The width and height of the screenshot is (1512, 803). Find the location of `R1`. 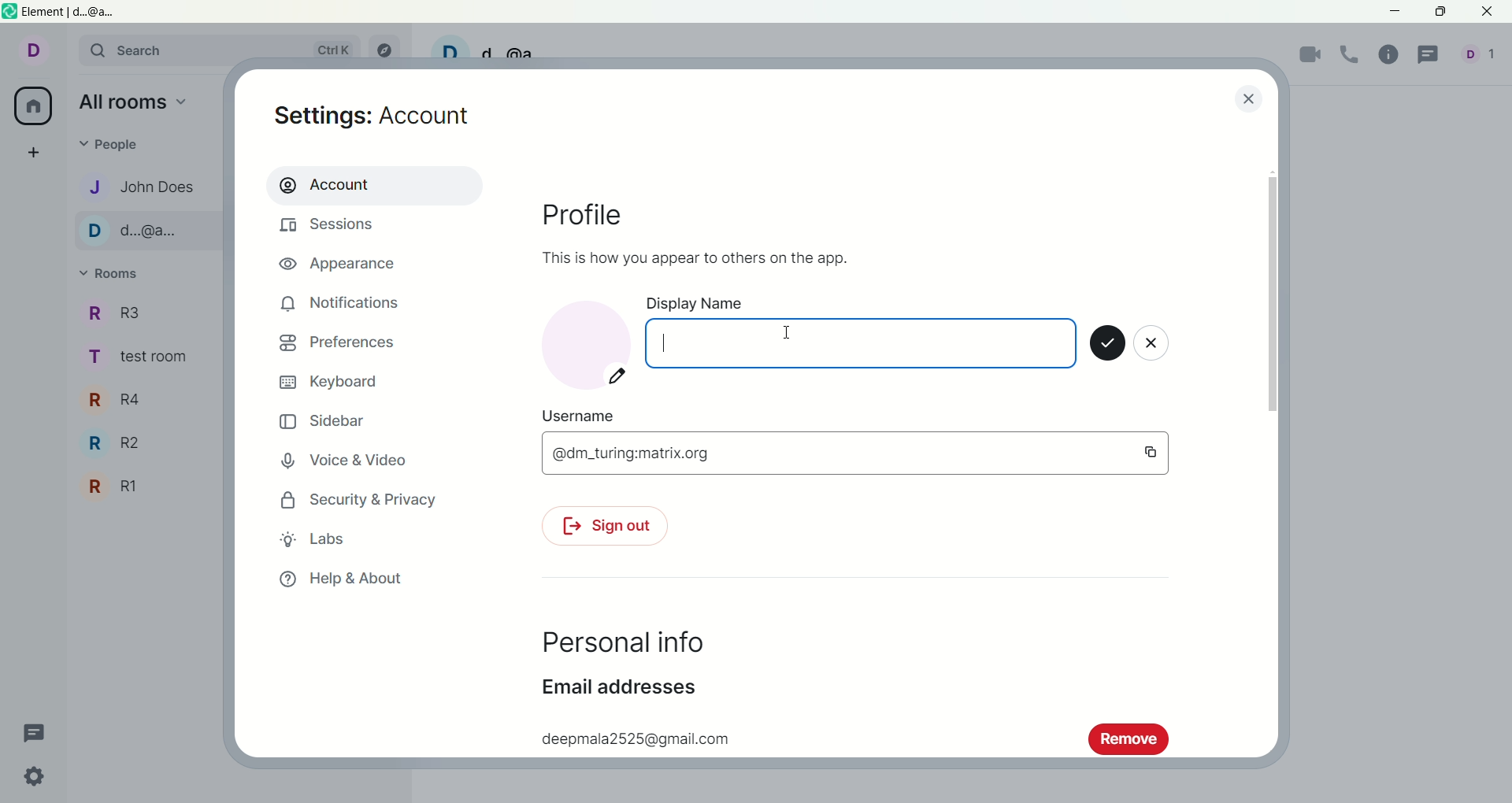

R1 is located at coordinates (115, 487).